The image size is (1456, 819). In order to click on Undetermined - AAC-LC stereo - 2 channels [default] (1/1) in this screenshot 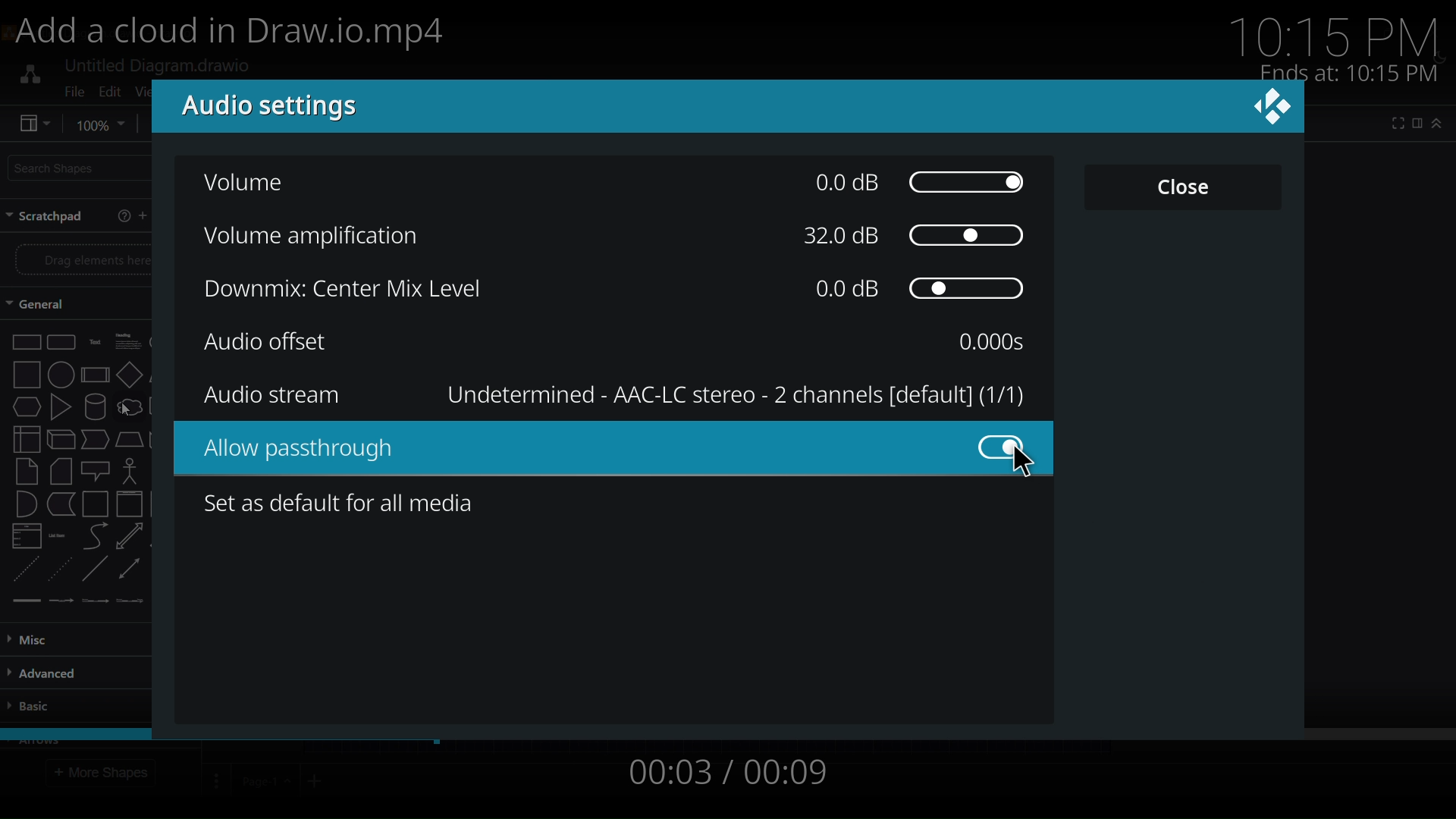, I will do `click(733, 397)`.